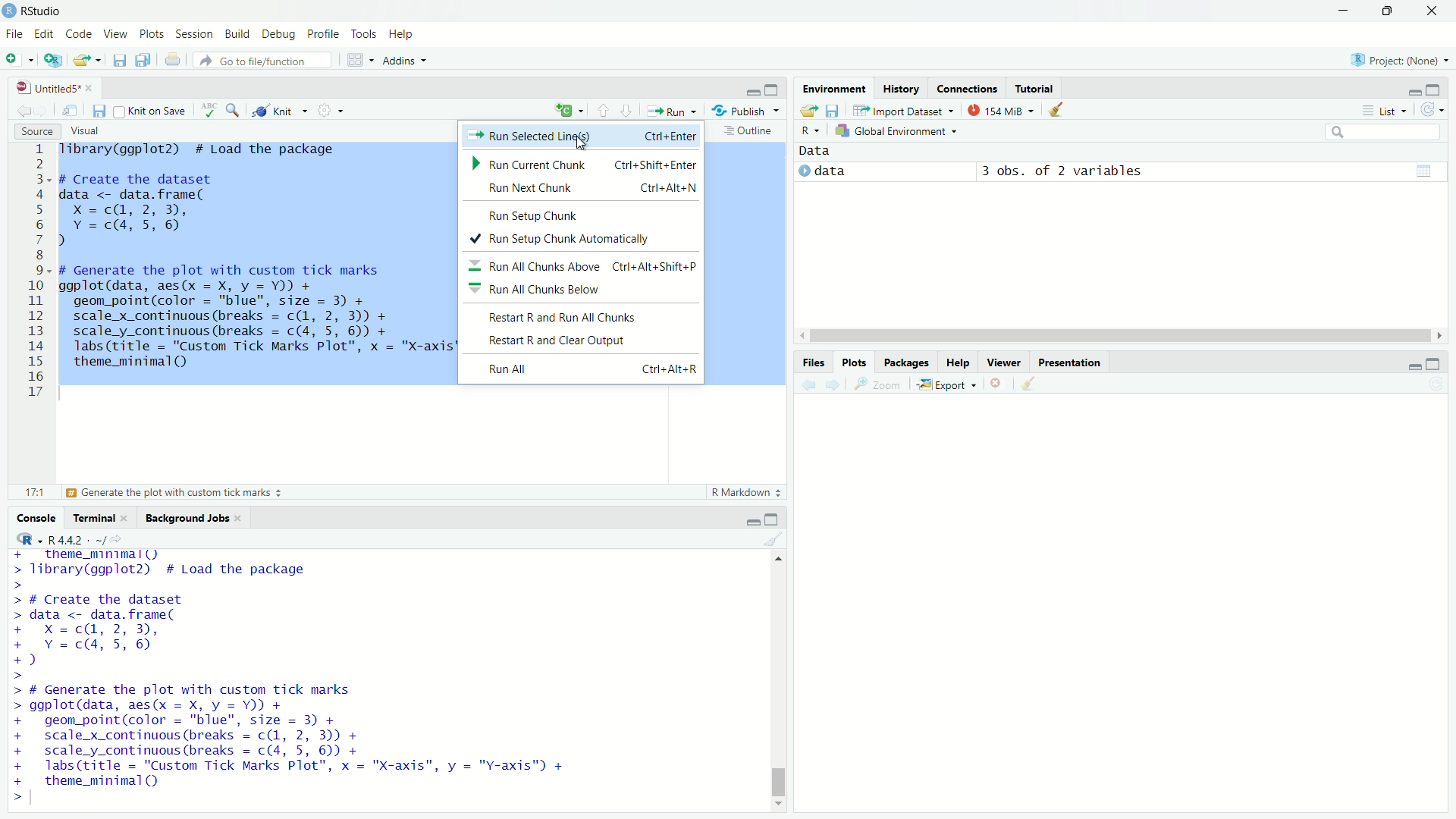 The width and height of the screenshot is (1456, 819). I want to click on code to generate the plot with custom tick marks, so click(301, 735).